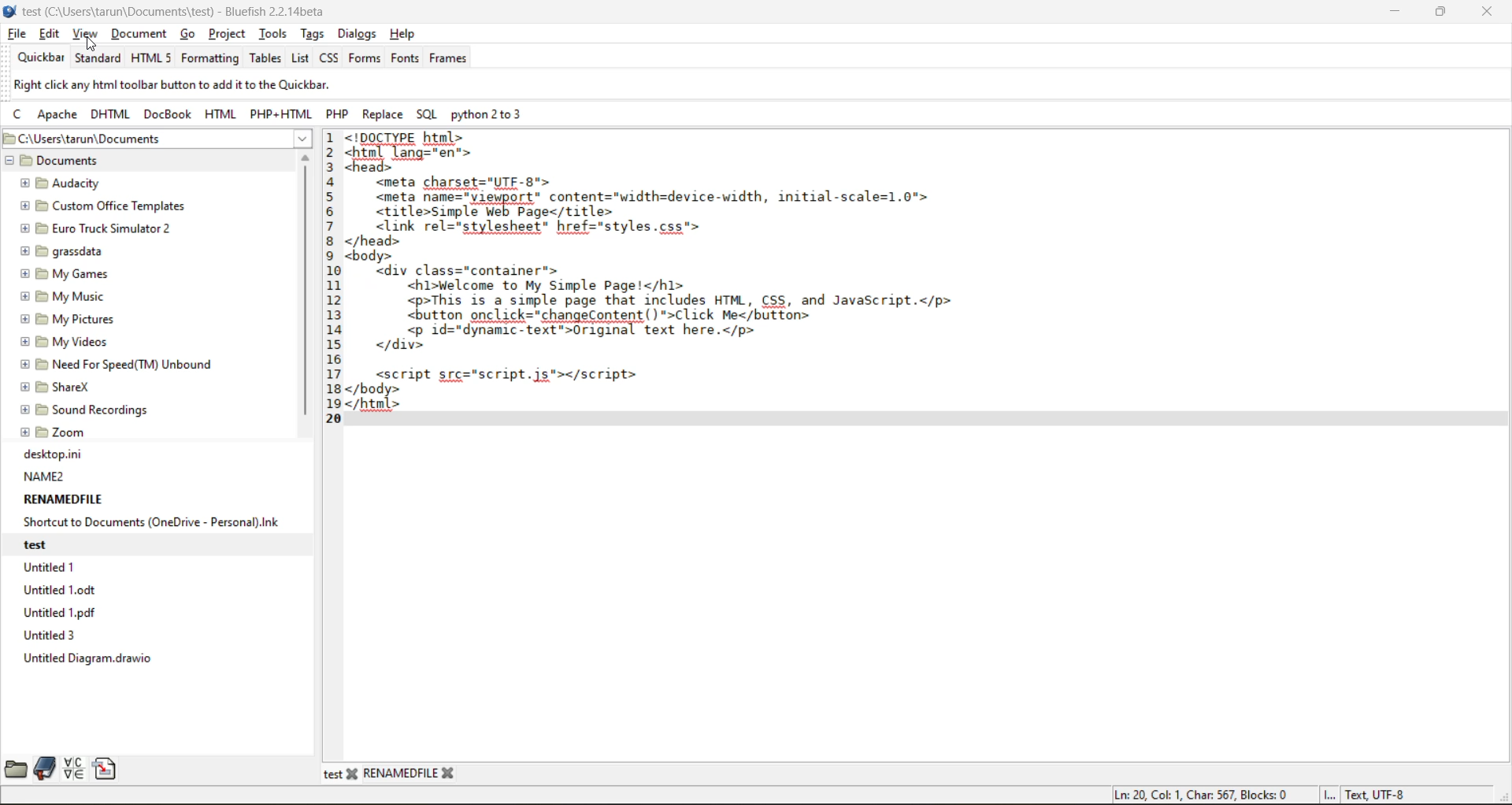  Describe the element at coordinates (358, 34) in the screenshot. I see `dialogs` at that location.